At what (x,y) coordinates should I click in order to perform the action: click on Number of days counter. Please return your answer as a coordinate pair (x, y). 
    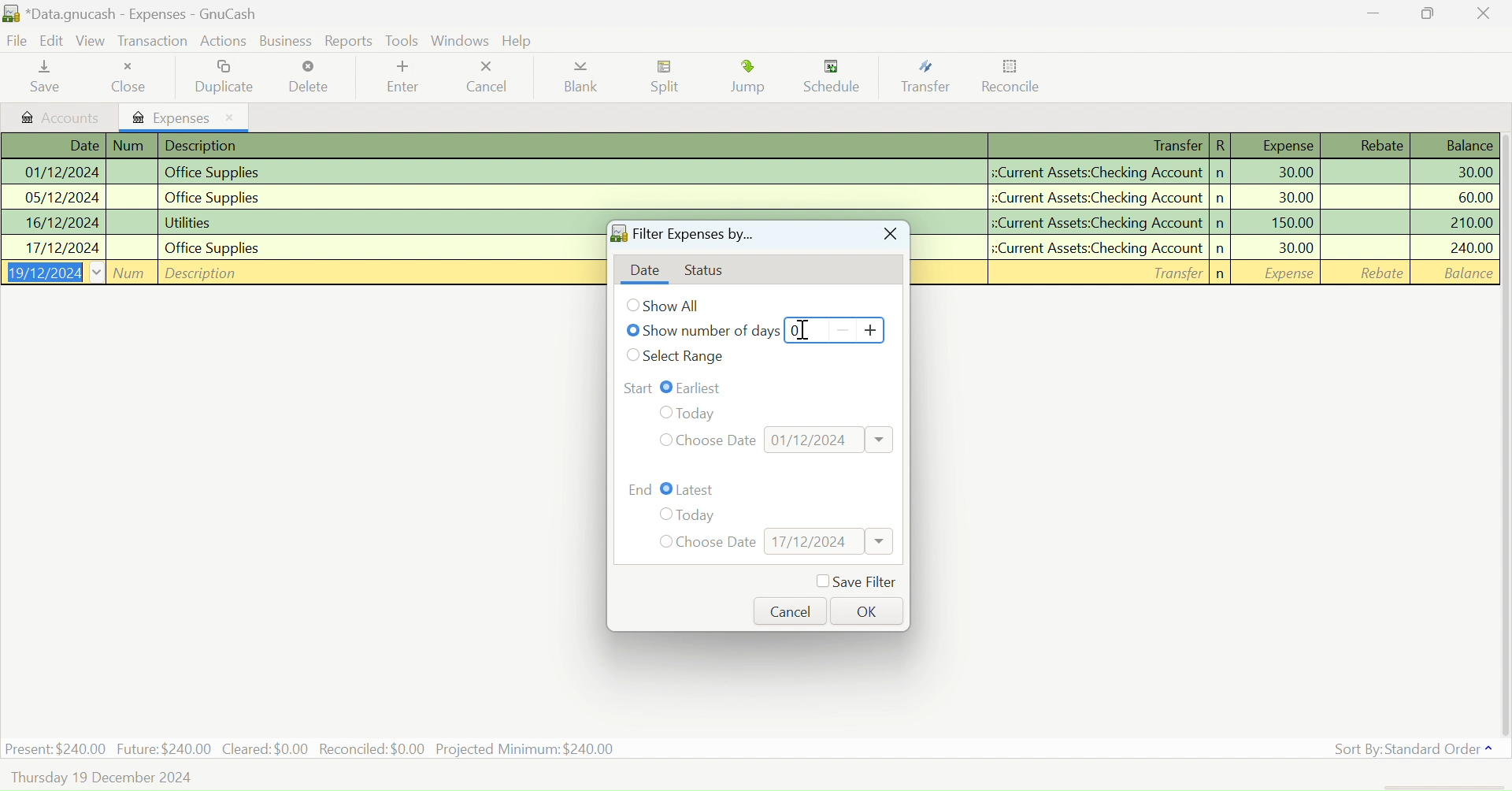
    Looking at the image, I should click on (835, 329).